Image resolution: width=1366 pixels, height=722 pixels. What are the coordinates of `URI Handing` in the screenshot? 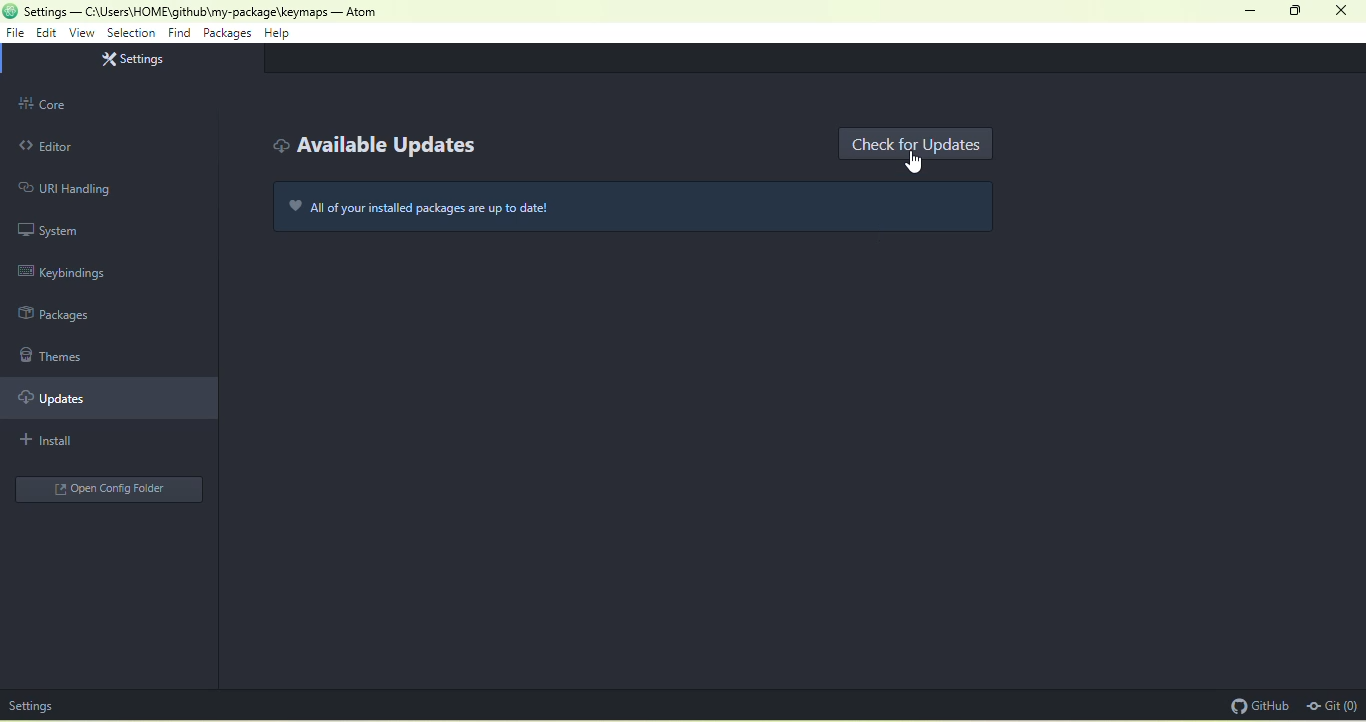 It's located at (62, 188).